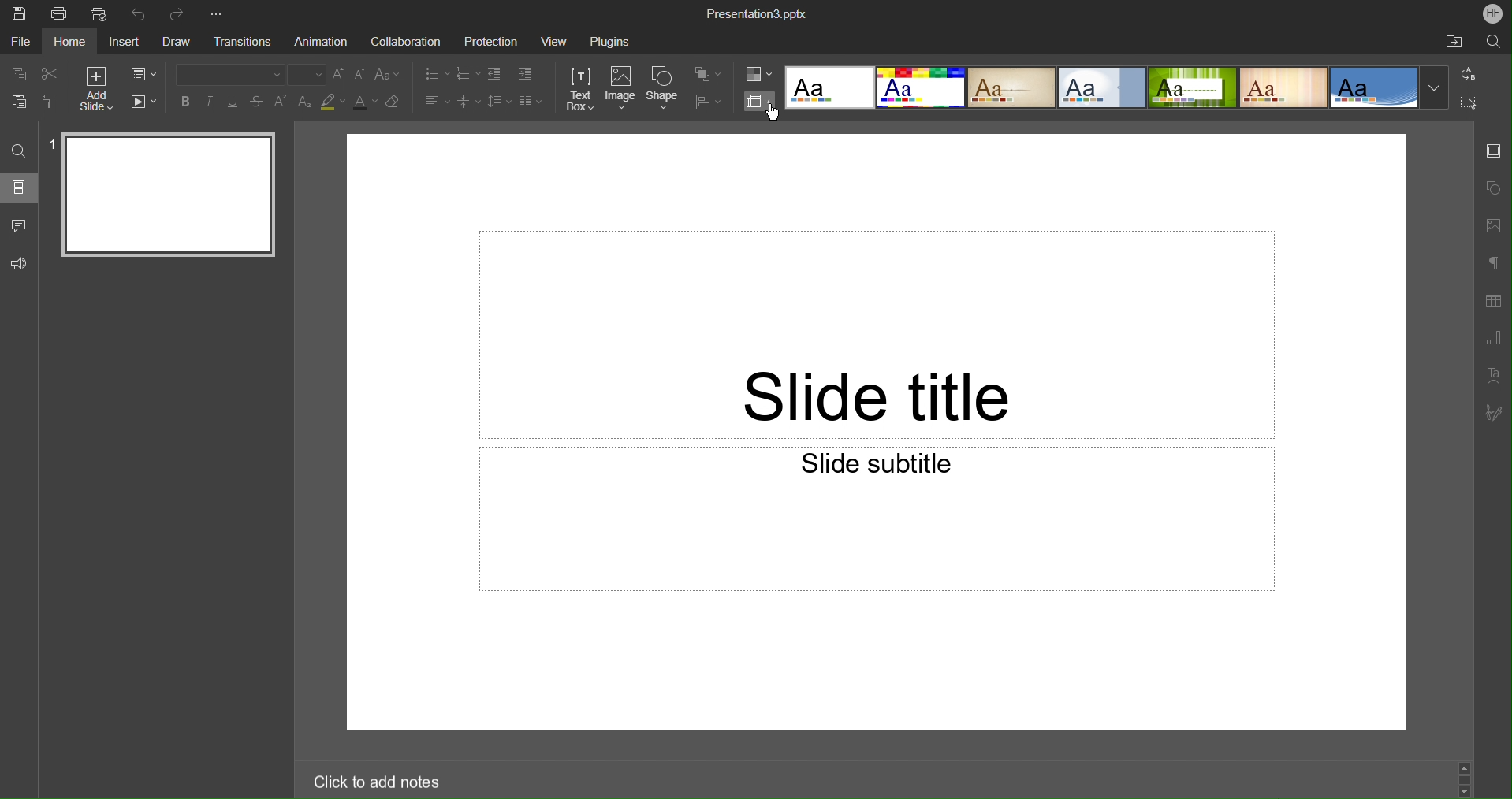 This screenshot has height=799, width=1512. Describe the element at coordinates (225, 74) in the screenshot. I see `Font Type` at that location.